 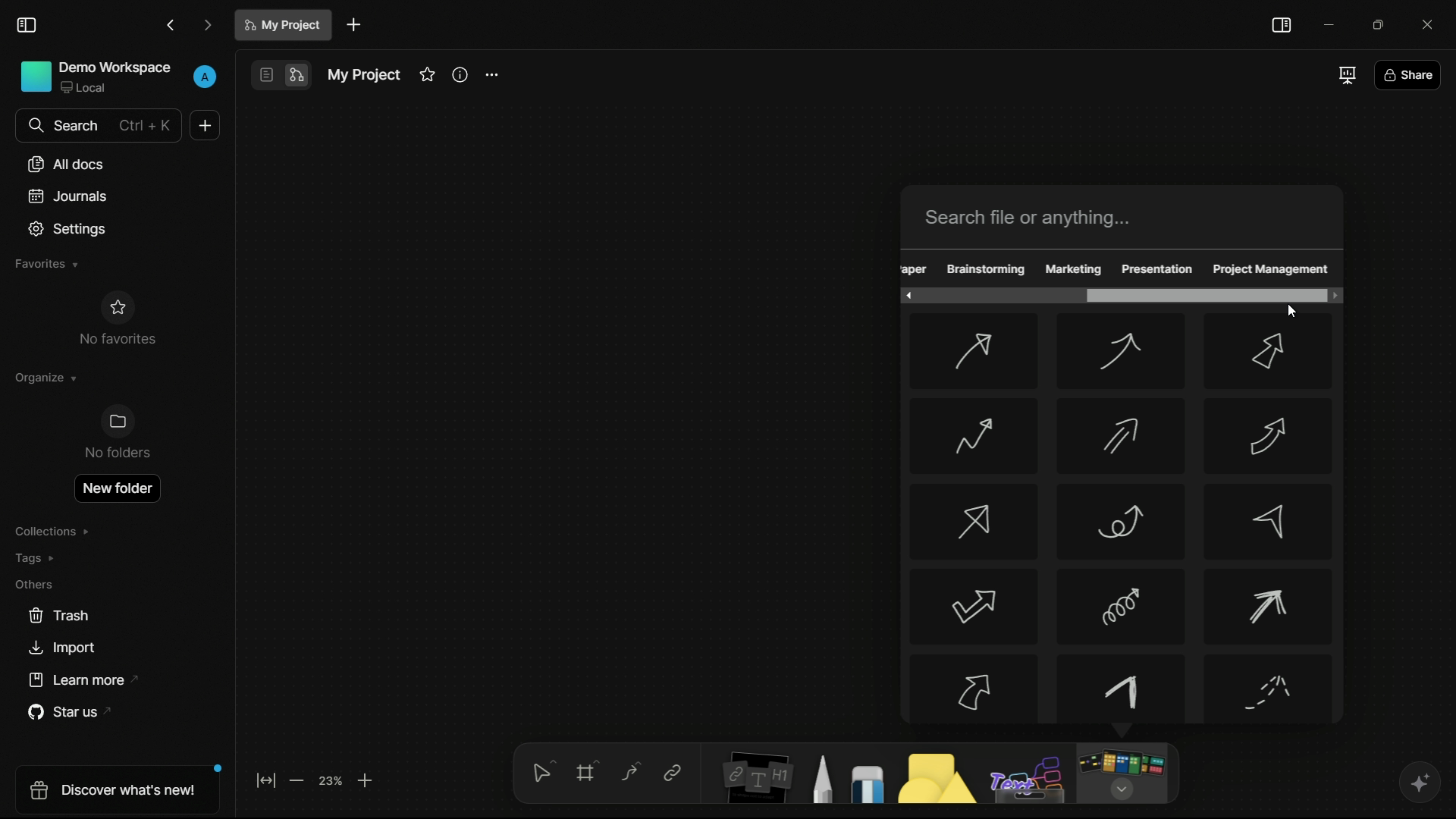 What do you see at coordinates (44, 378) in the screenshot?
I see `organize` at bounding box center [44, 378].